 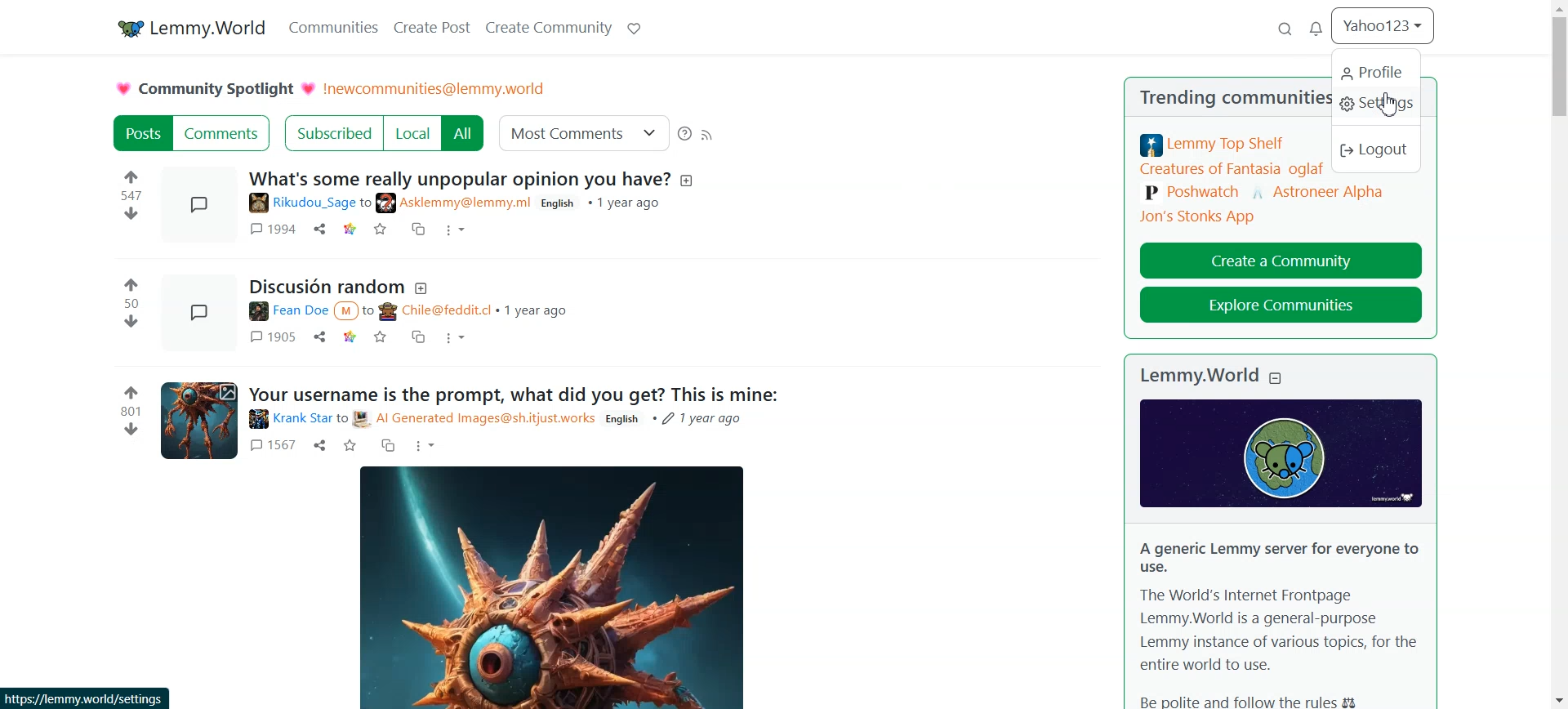 I want to click on save, so click(x=382, y=230).